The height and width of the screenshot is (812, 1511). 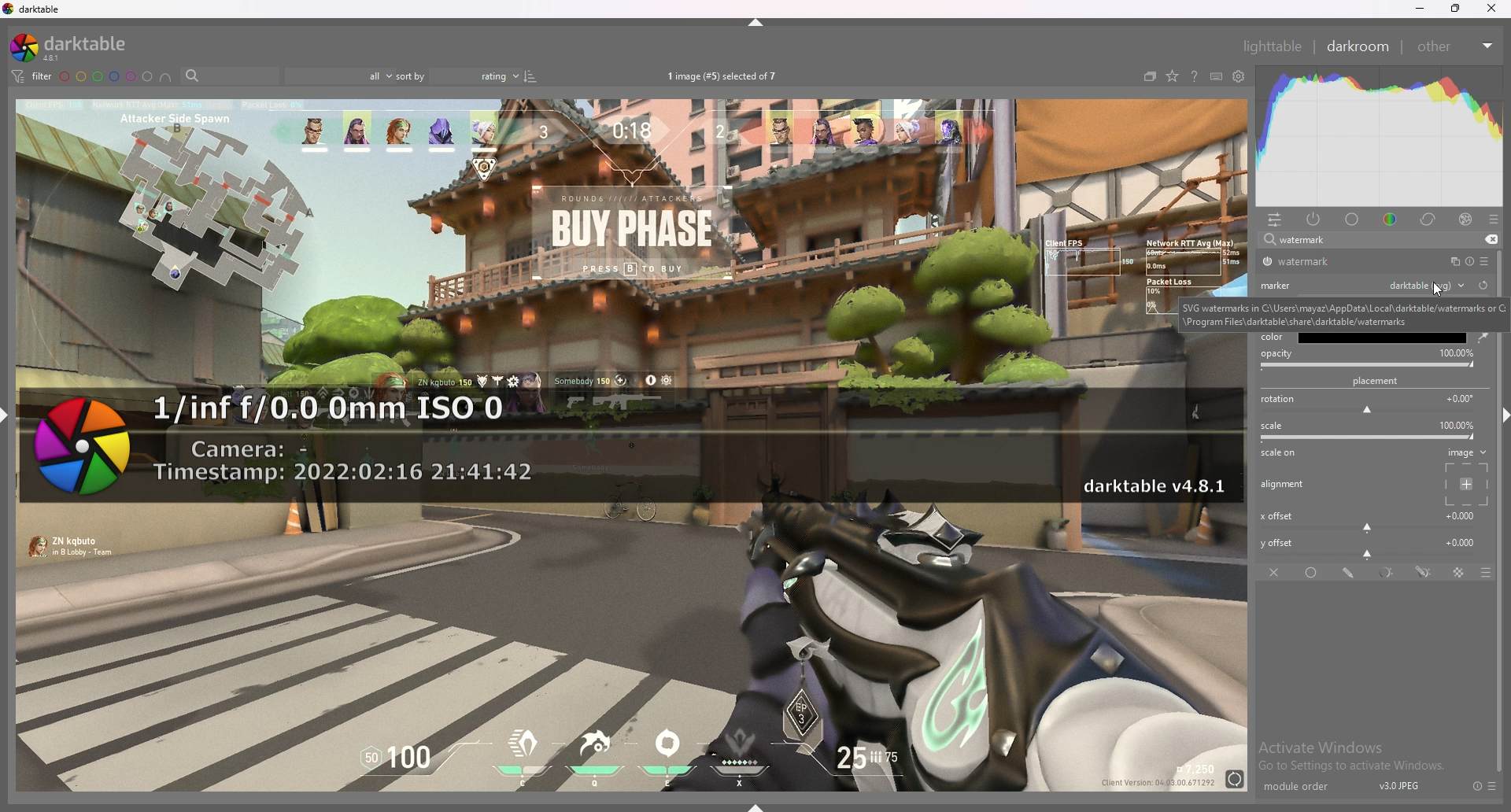 What do you see at coordinates (1489, 240) in the screenshot?
I see `remove` at bounding box center [1489, 240].